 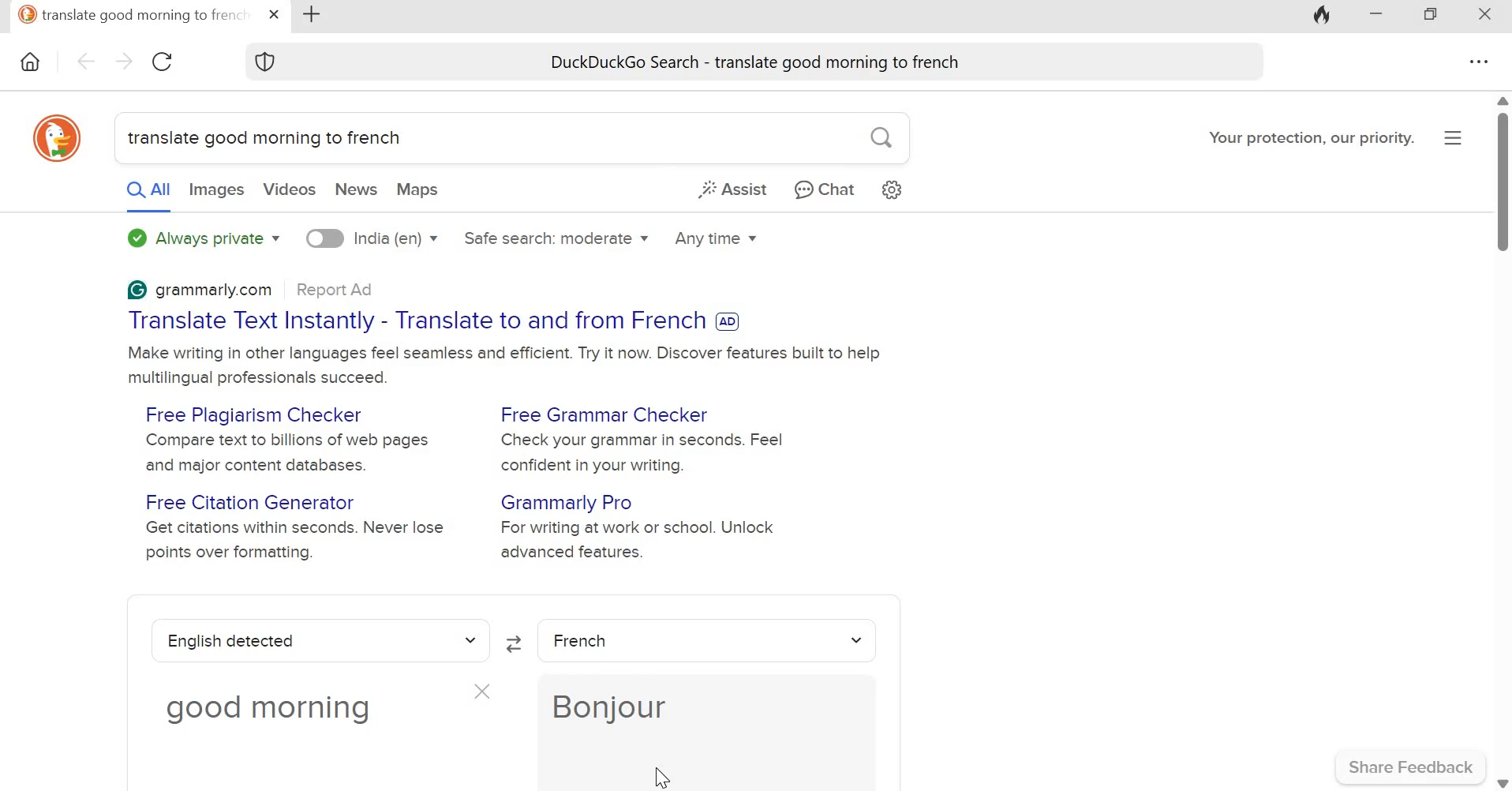 What do you see at coordinates (301, 541) in the screenshot?
I see `Get citations within seconds. Never lose points over formatting` at bounding box center [301, 541].